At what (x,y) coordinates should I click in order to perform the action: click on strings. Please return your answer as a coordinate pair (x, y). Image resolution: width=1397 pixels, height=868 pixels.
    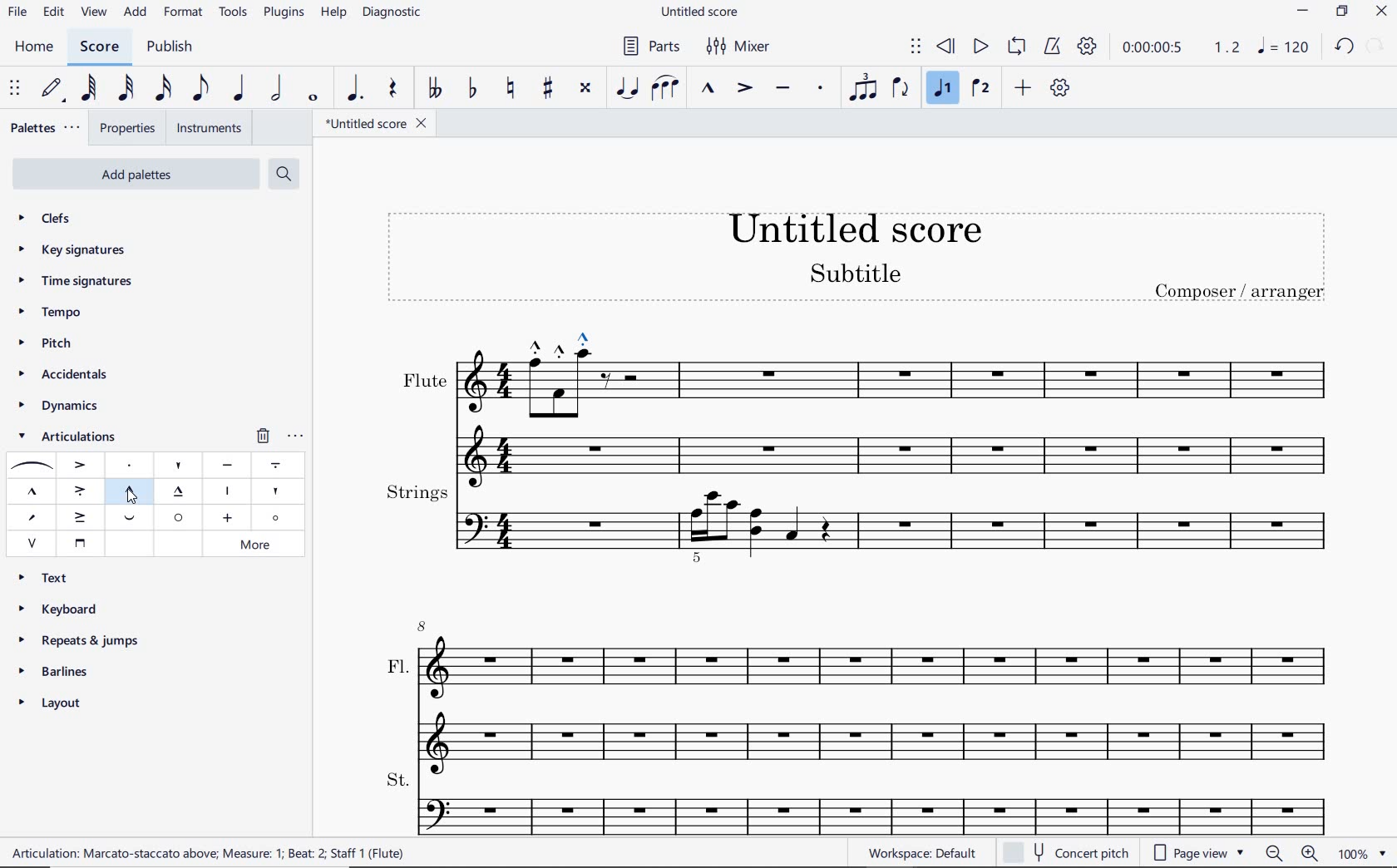
    Looking at the image, I should click on (859, 521).